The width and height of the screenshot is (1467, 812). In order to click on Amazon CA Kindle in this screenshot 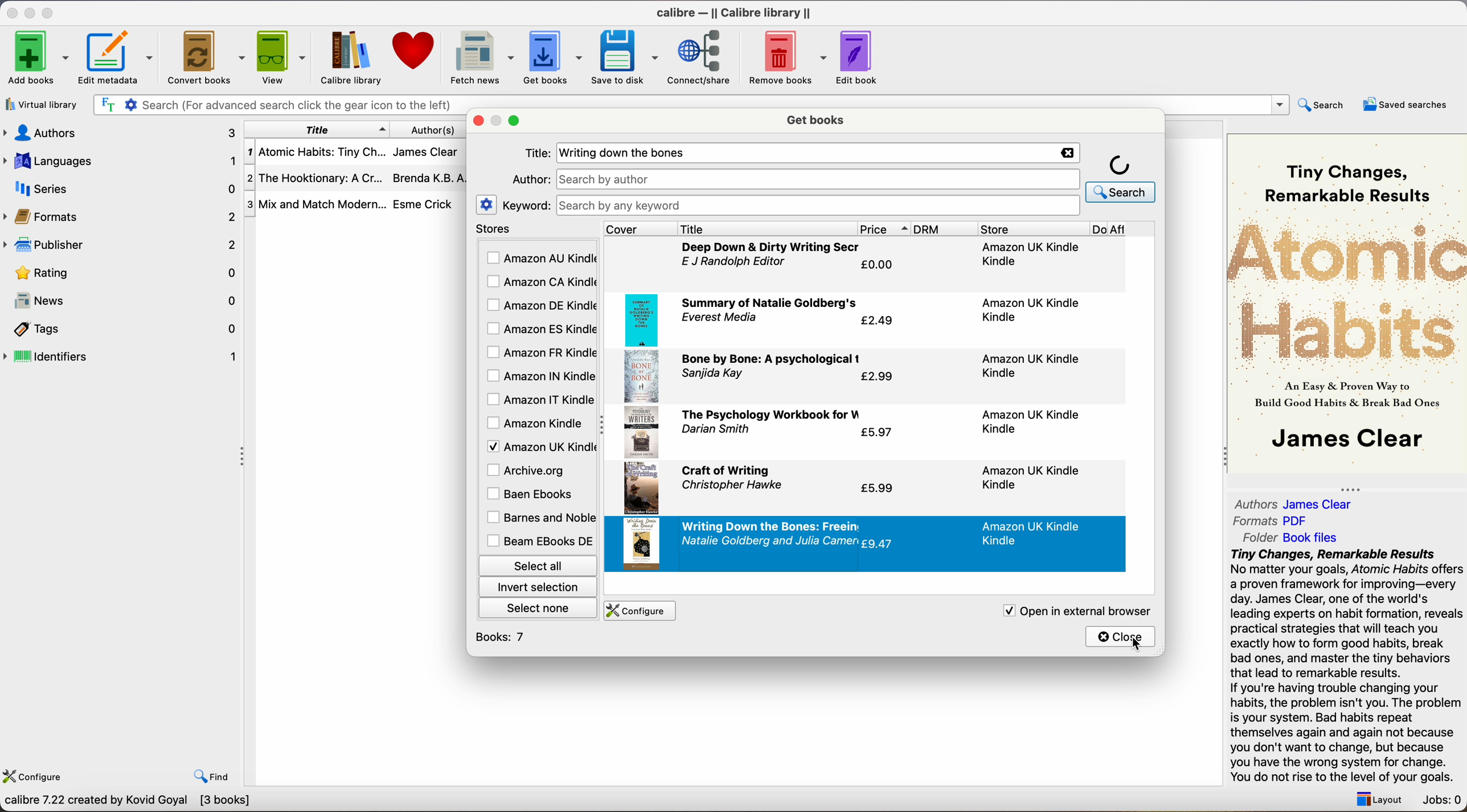, I will do `click(540, 283)`.